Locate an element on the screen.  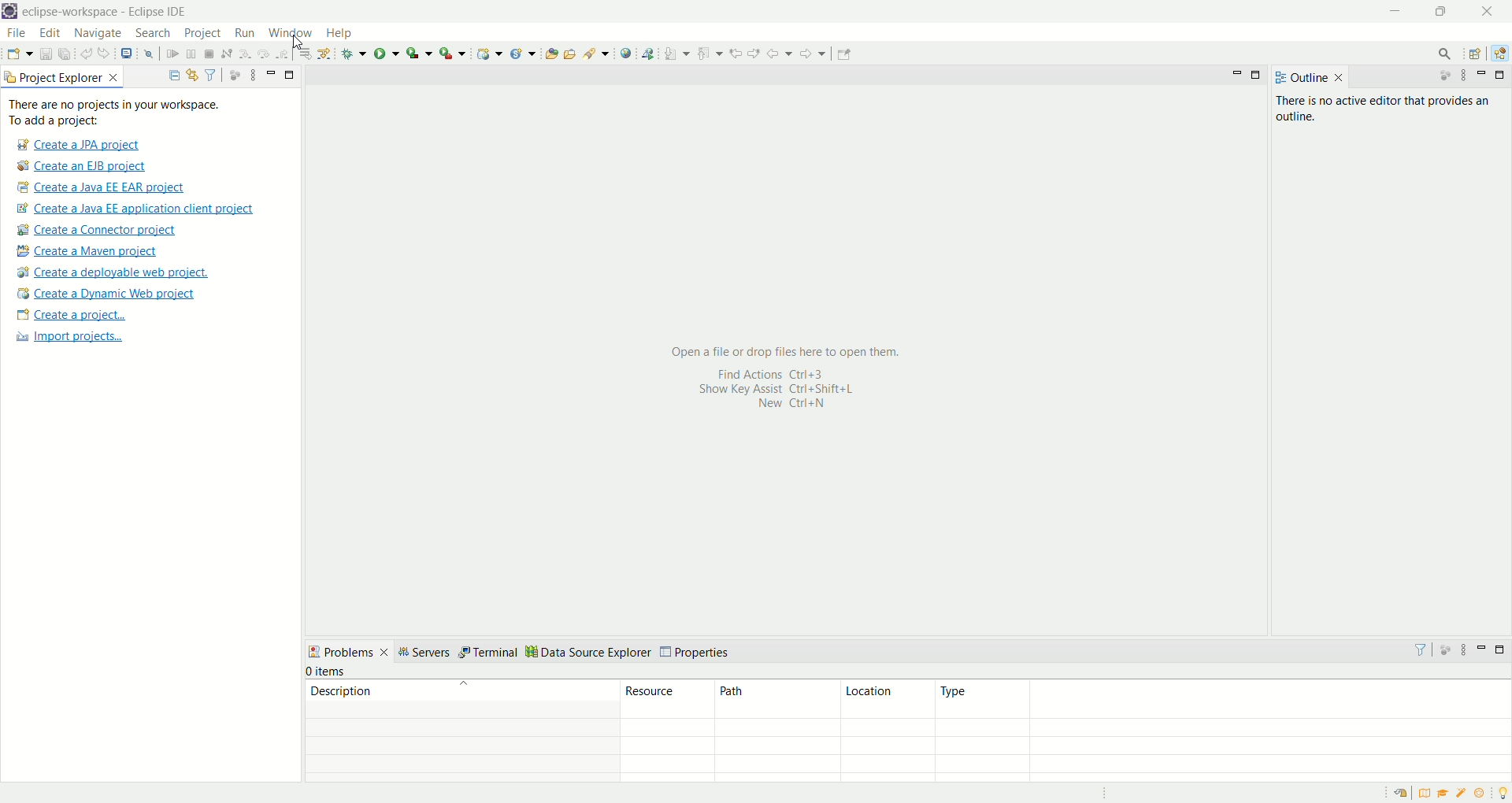
restore welcome is located at coordinates (1404, 794).